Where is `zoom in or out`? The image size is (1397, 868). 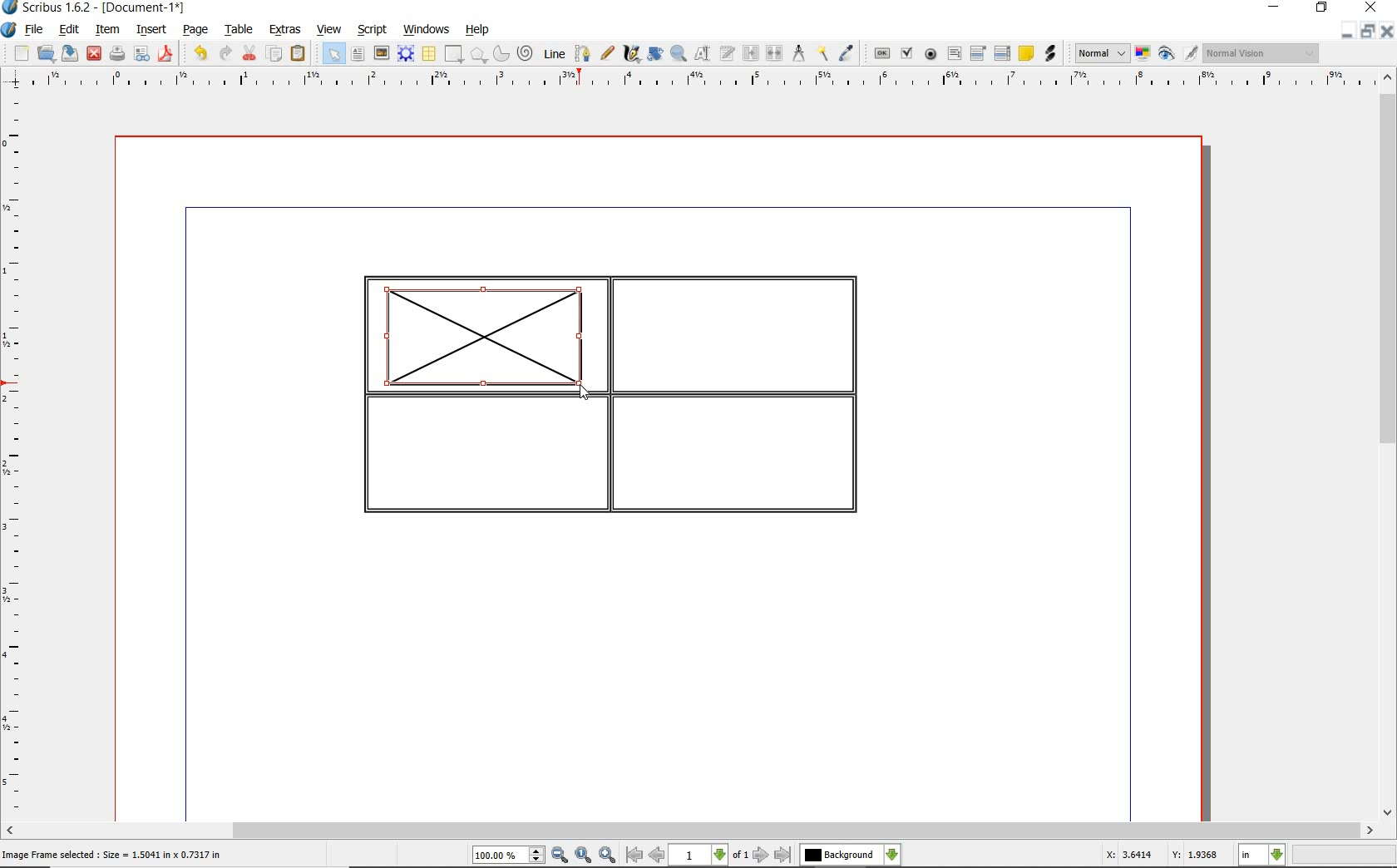
zoom in or out is located at coordinates (678, 54).